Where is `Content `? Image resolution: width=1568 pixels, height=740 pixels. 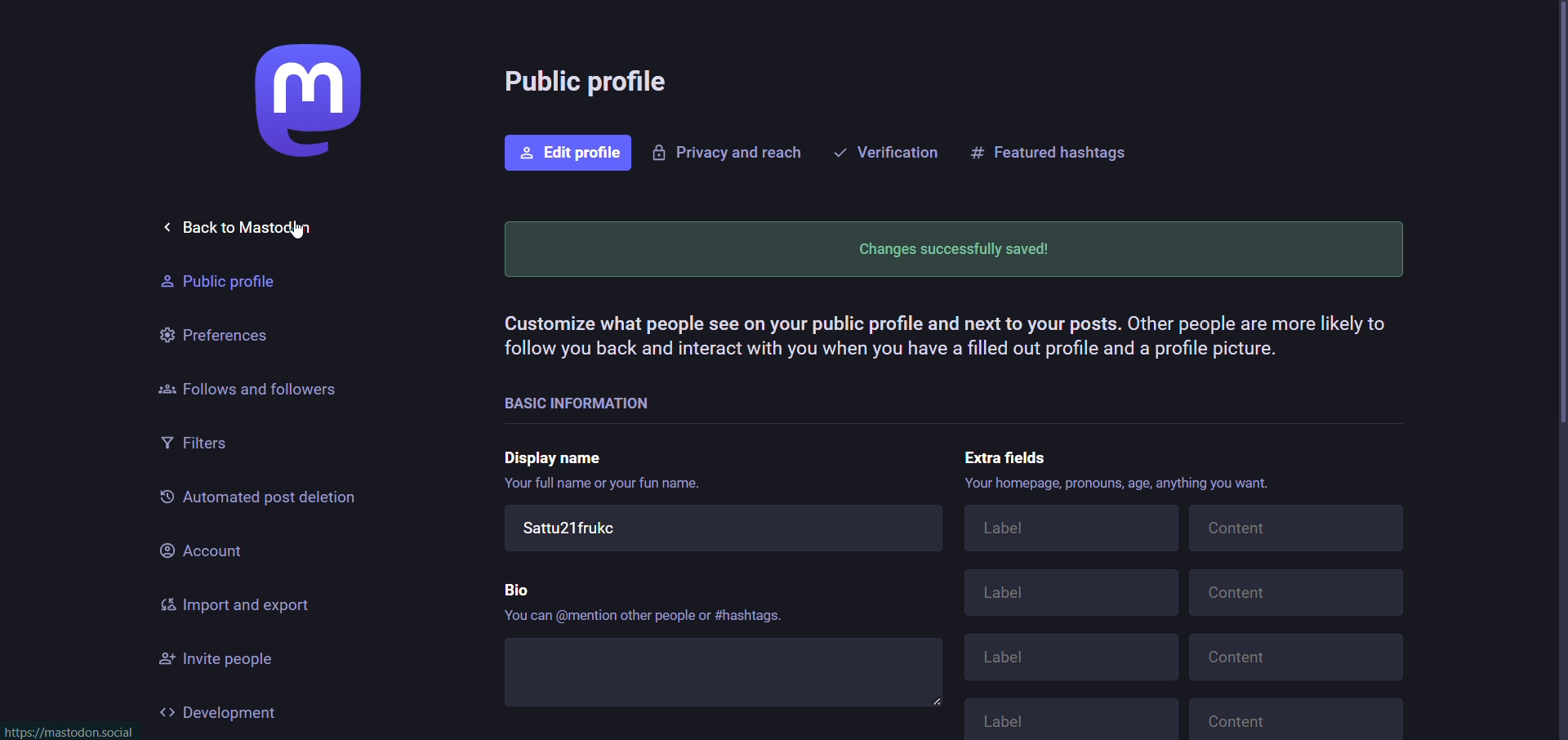
Content  is located at coordinates (1298, 527).